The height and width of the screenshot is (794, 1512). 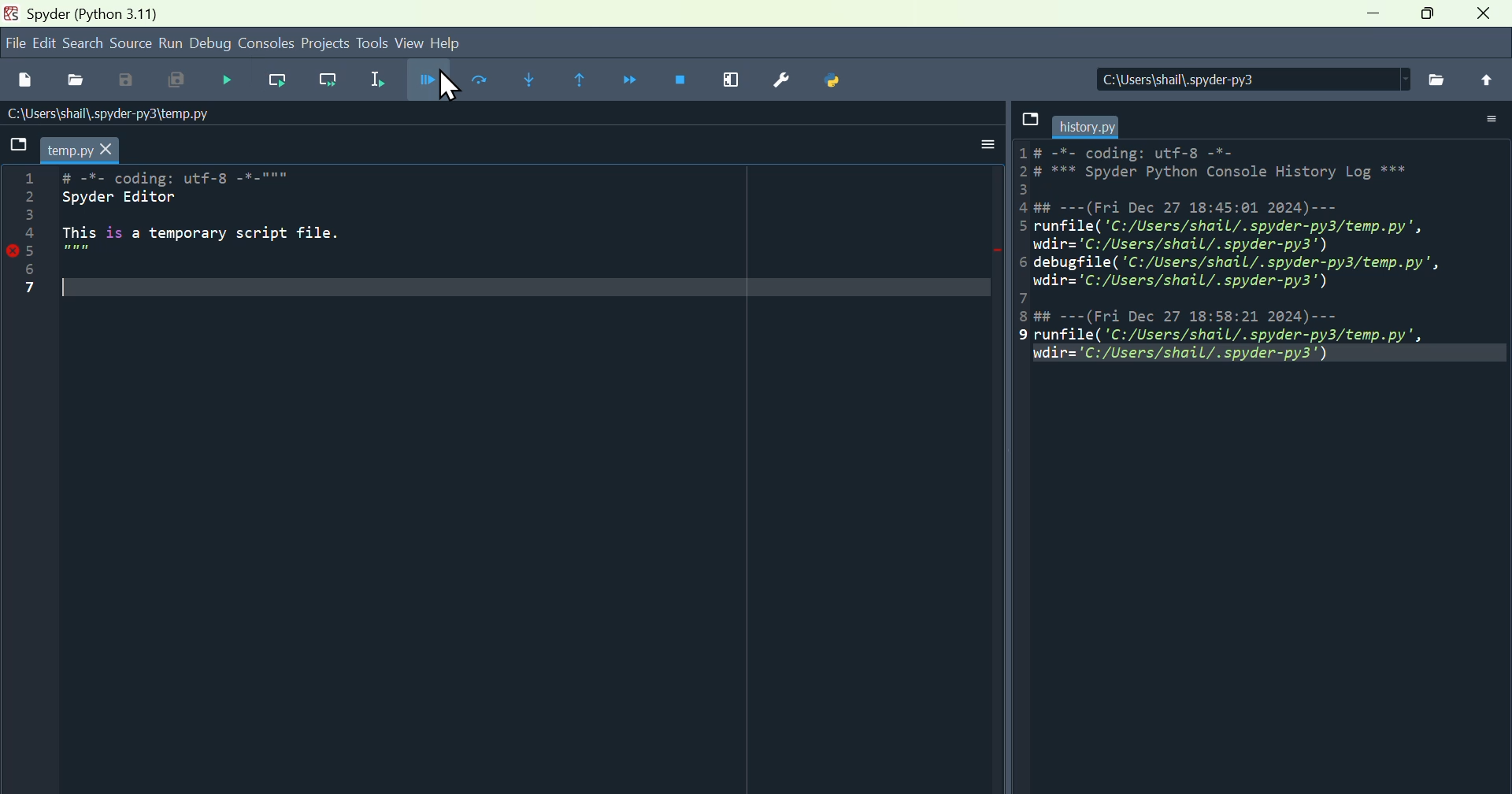 What do you see at coordinates (198, 113) in the screenshot?
I see `Name of the file` at bounding box center [198, 113].